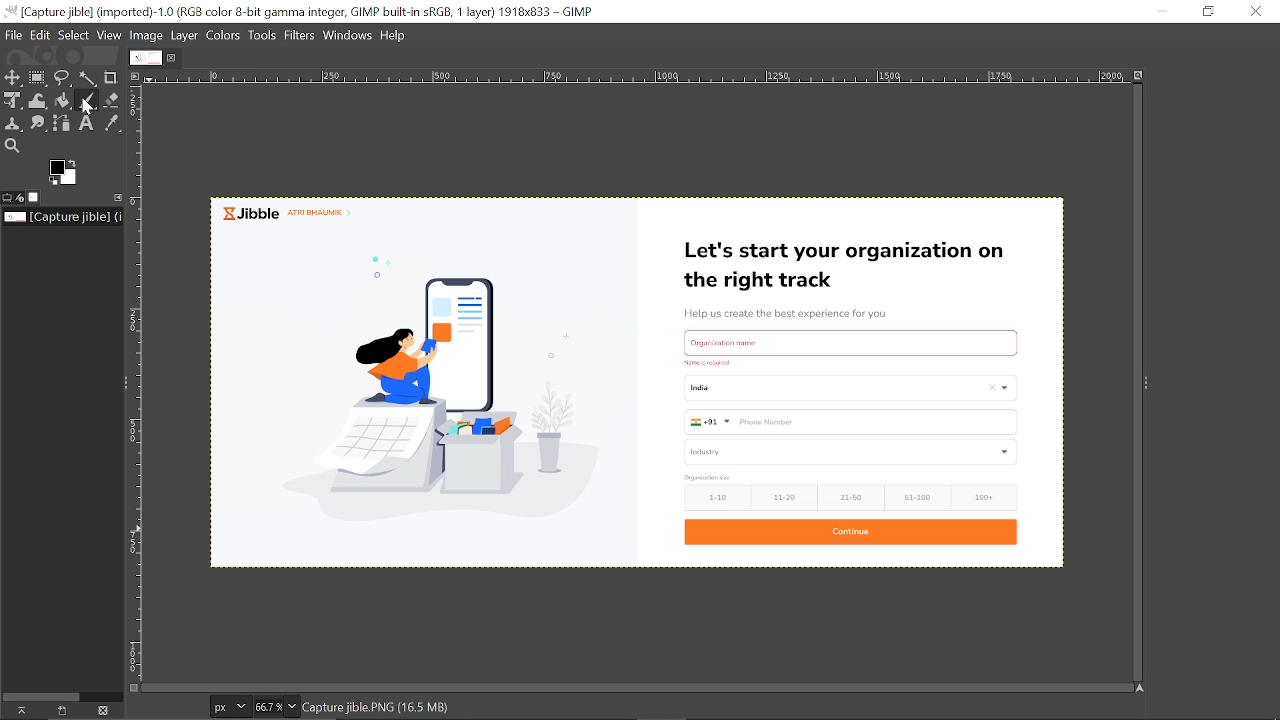 This screenshot has width=1280, height=720. Describe the element at coordinates (103, 711) in the screenshot. I see `This this image` at that location.